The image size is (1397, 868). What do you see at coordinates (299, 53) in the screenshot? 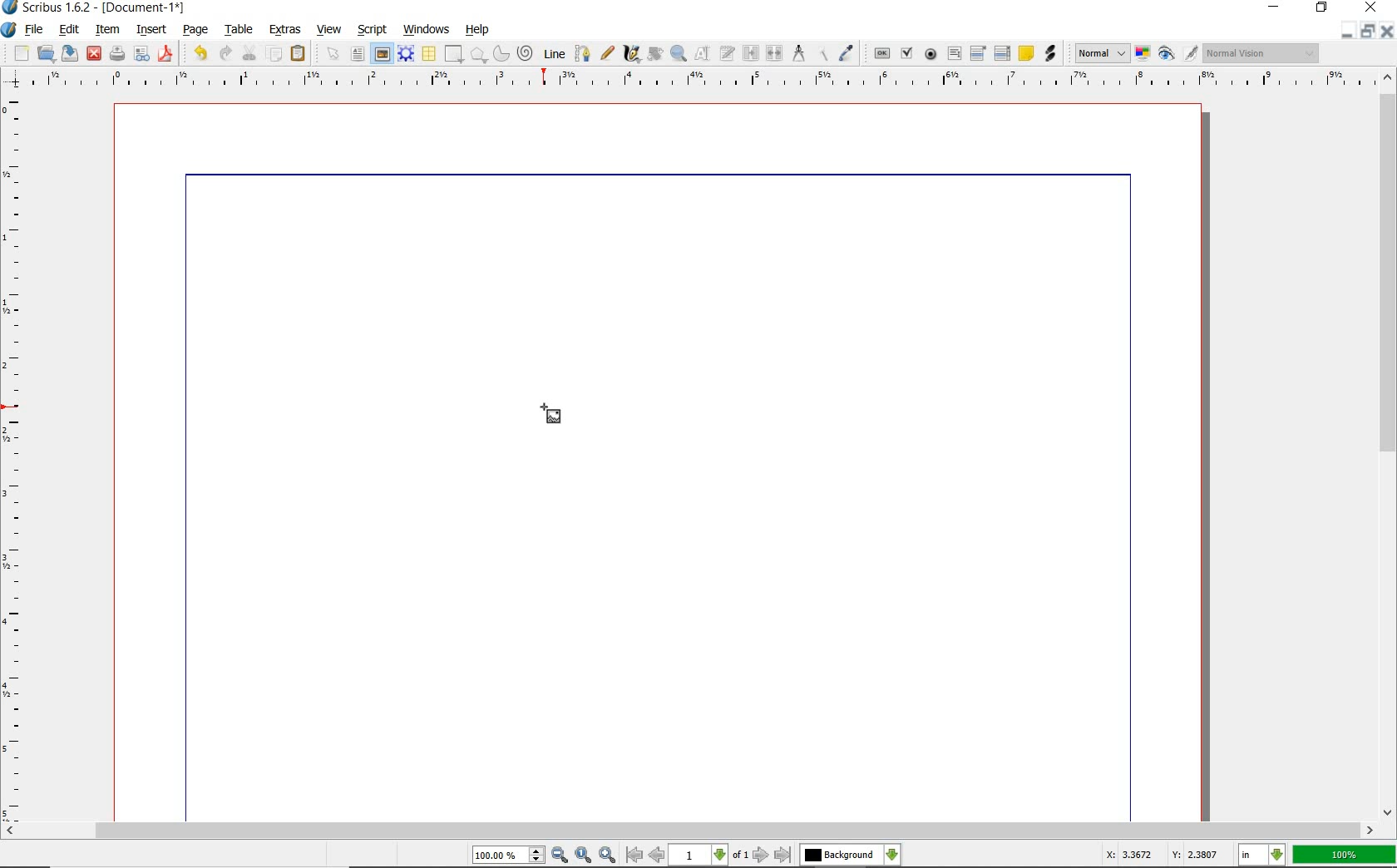
I see `paste` at bounding box center [299, 53].